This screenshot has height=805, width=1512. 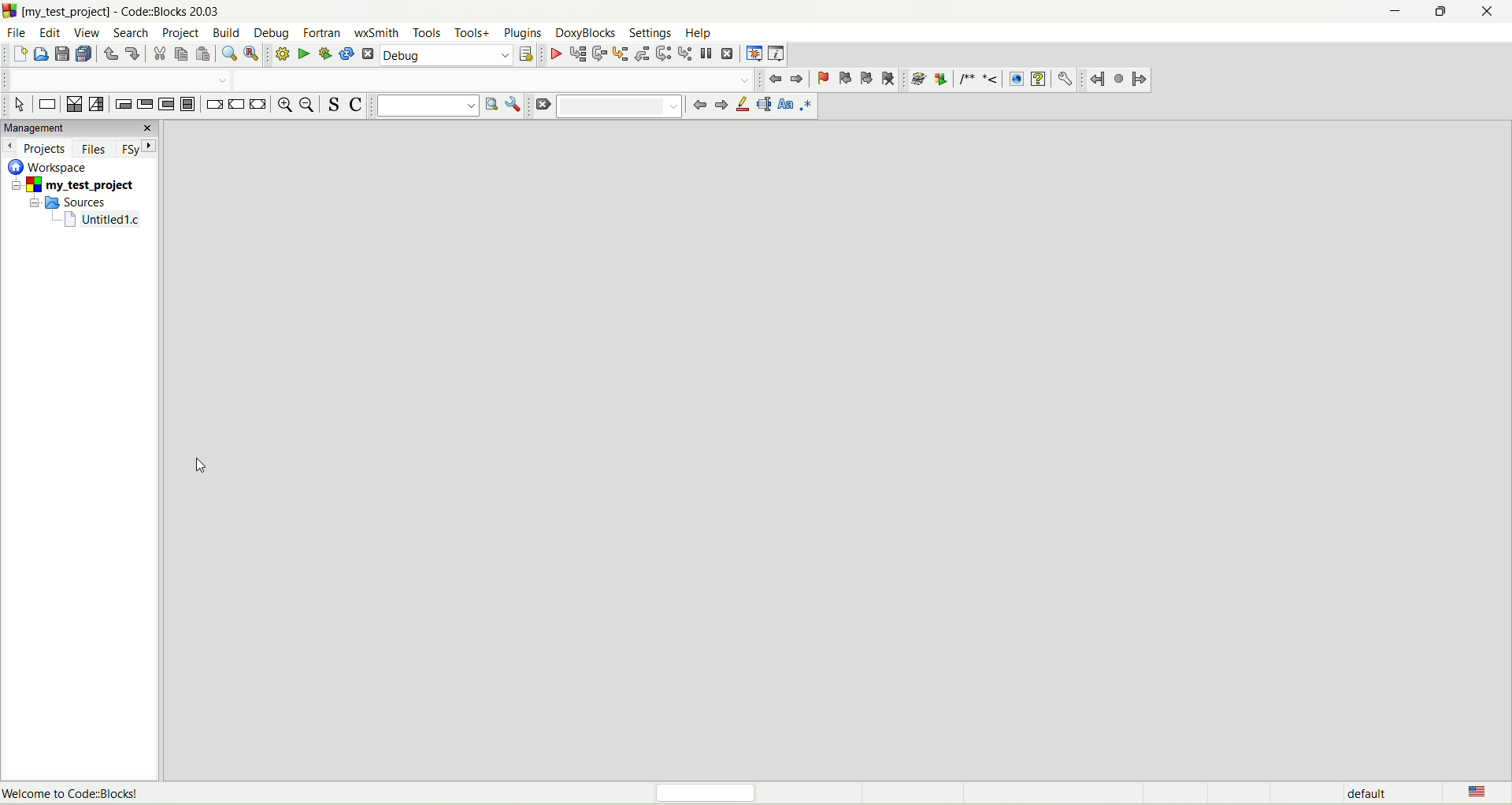 What do you see at coordinates (424, 108) in the screenshot?
I see `text search` at bounding box center [424, 108].